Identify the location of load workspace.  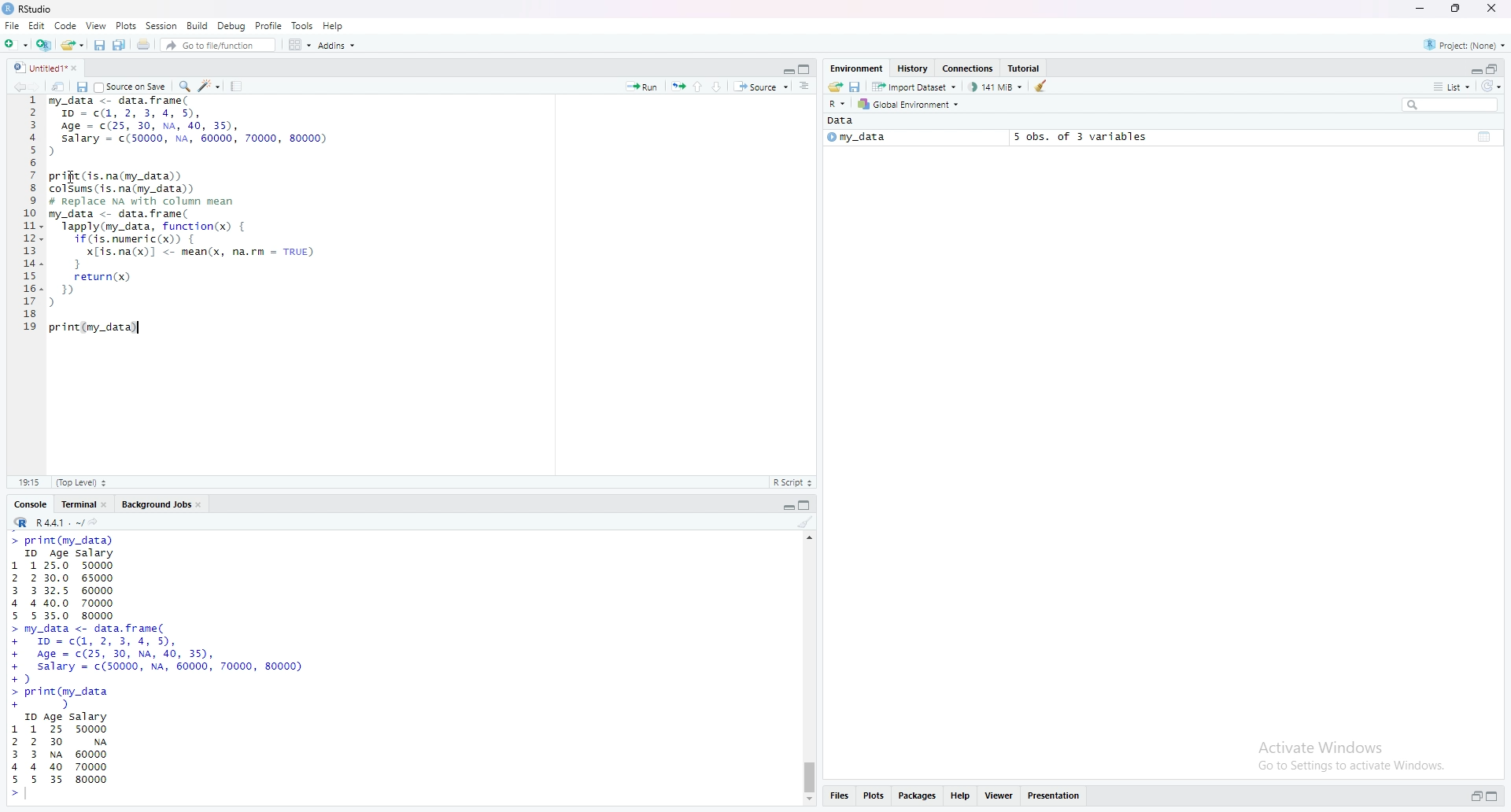
(834, 87).